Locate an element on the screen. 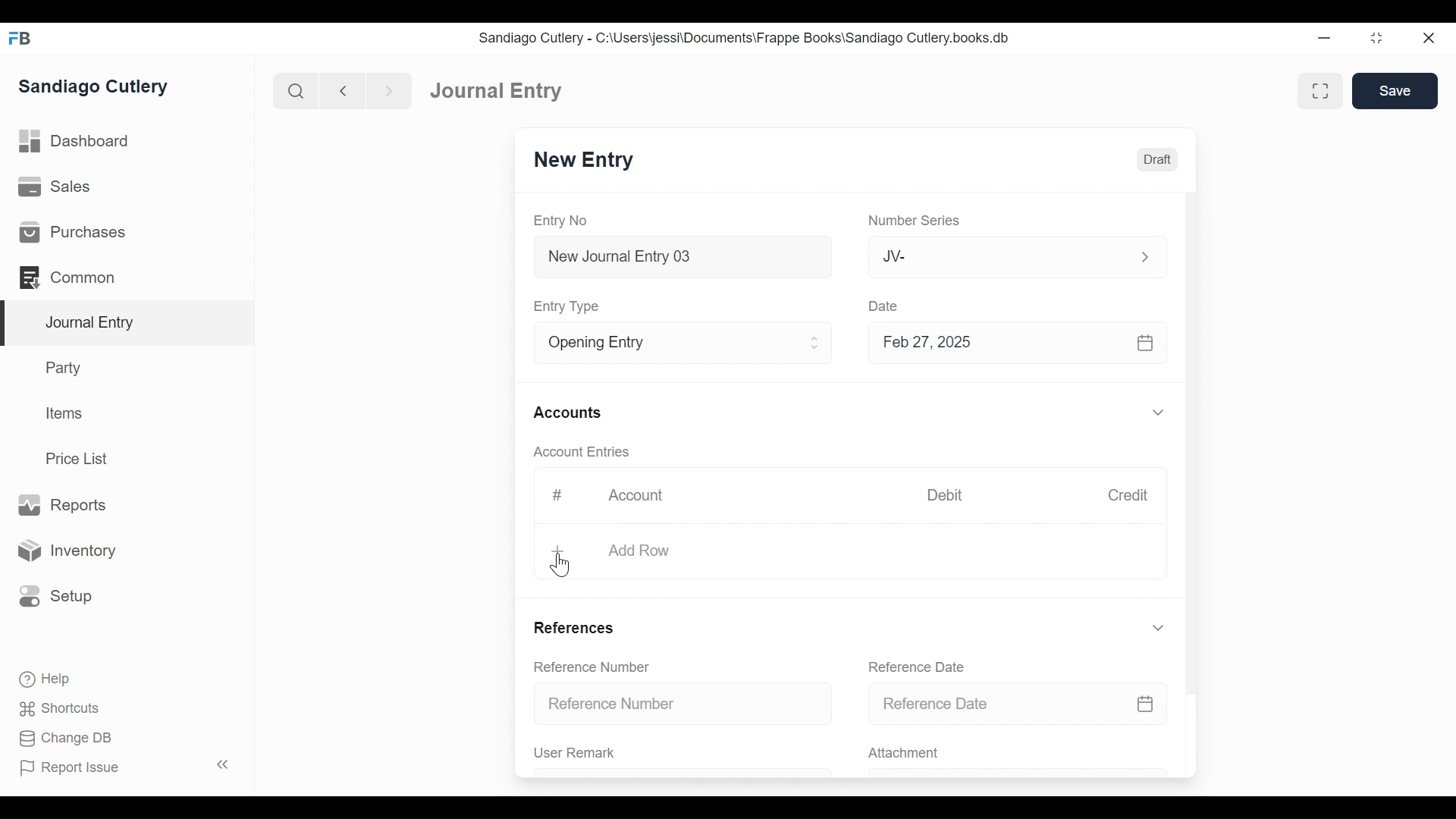  User Remark is located at coordinates (584, 754).